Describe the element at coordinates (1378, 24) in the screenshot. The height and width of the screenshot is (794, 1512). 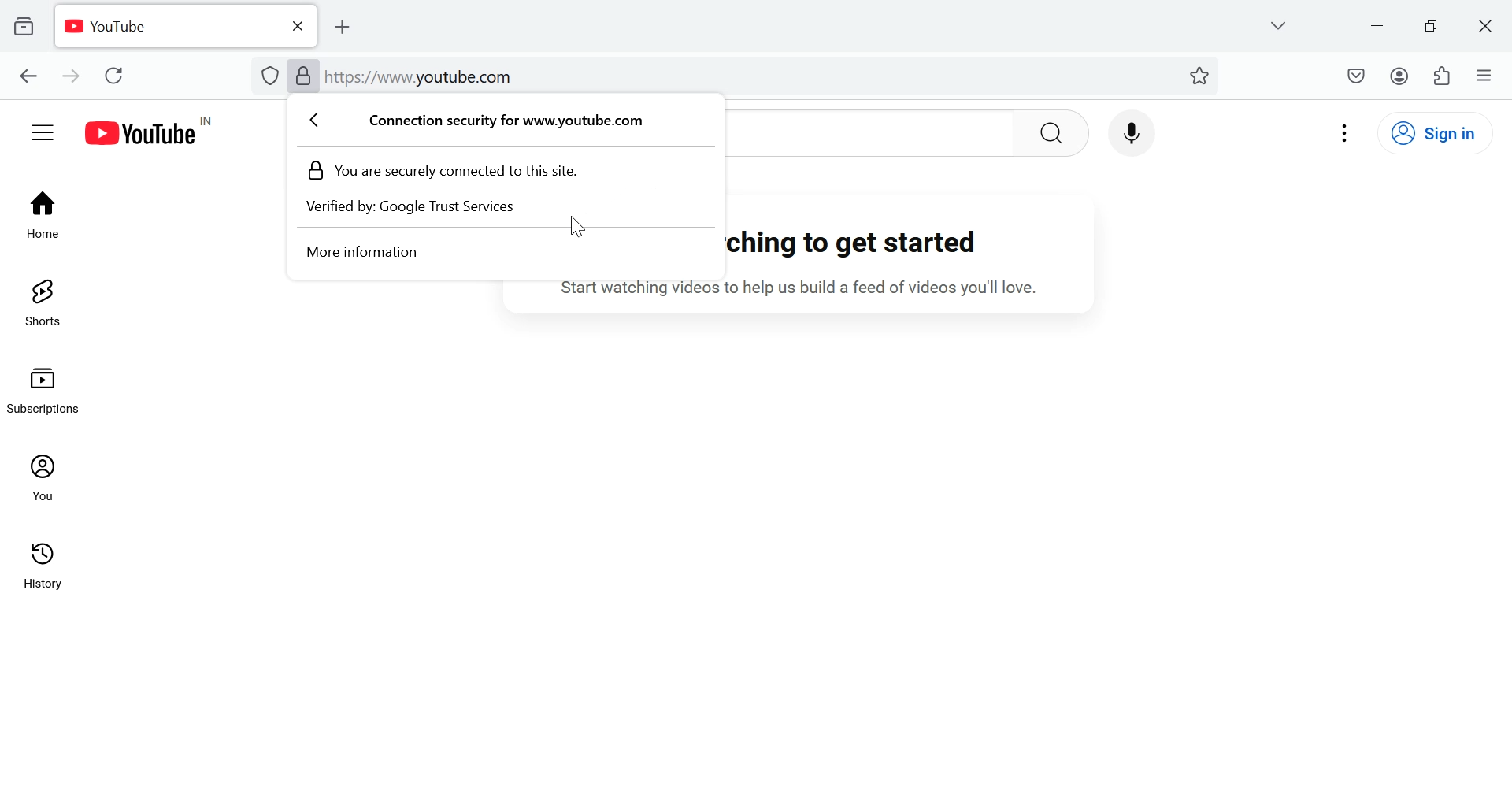
I see `Minimize` at that location.